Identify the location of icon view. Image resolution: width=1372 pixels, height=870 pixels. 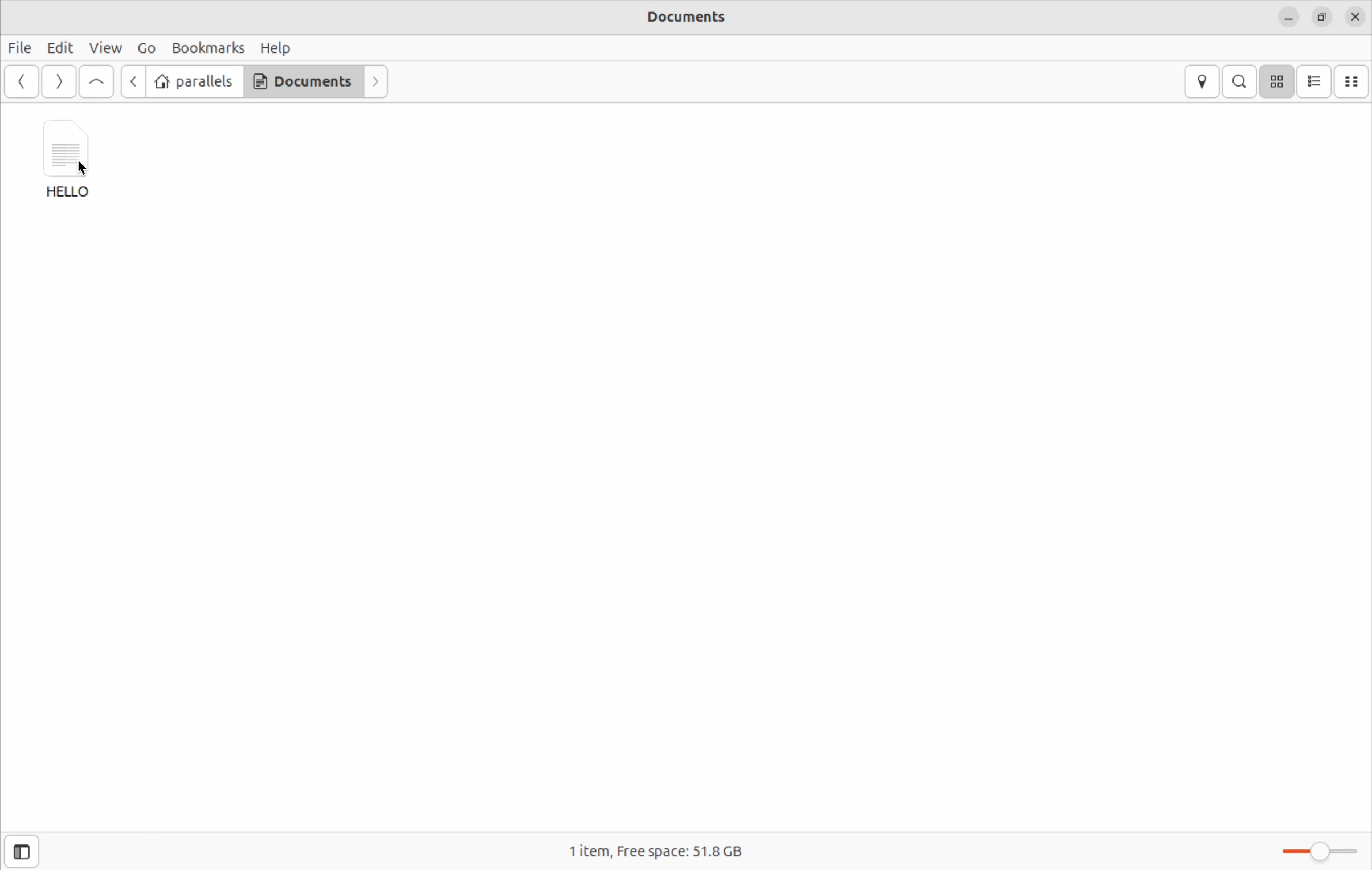
(1279, 82).